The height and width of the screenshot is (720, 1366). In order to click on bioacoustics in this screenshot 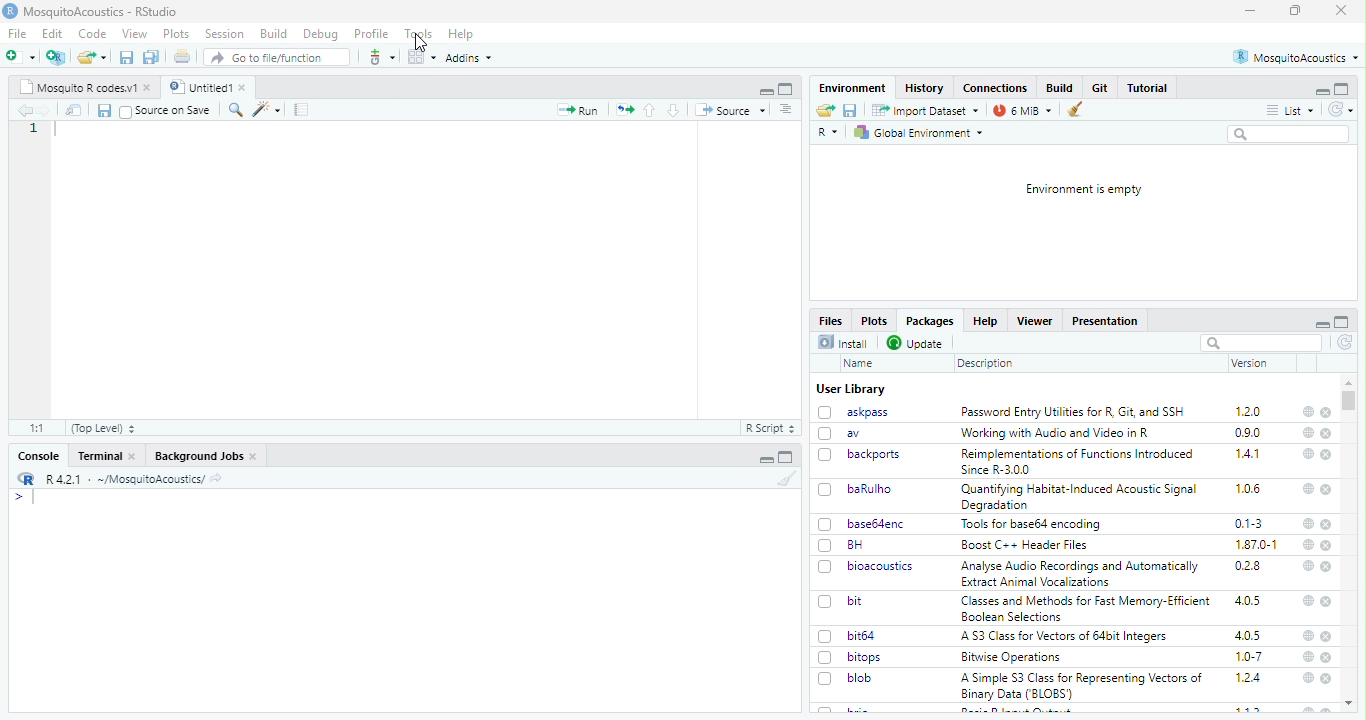, I will do `click(883, 567)`.